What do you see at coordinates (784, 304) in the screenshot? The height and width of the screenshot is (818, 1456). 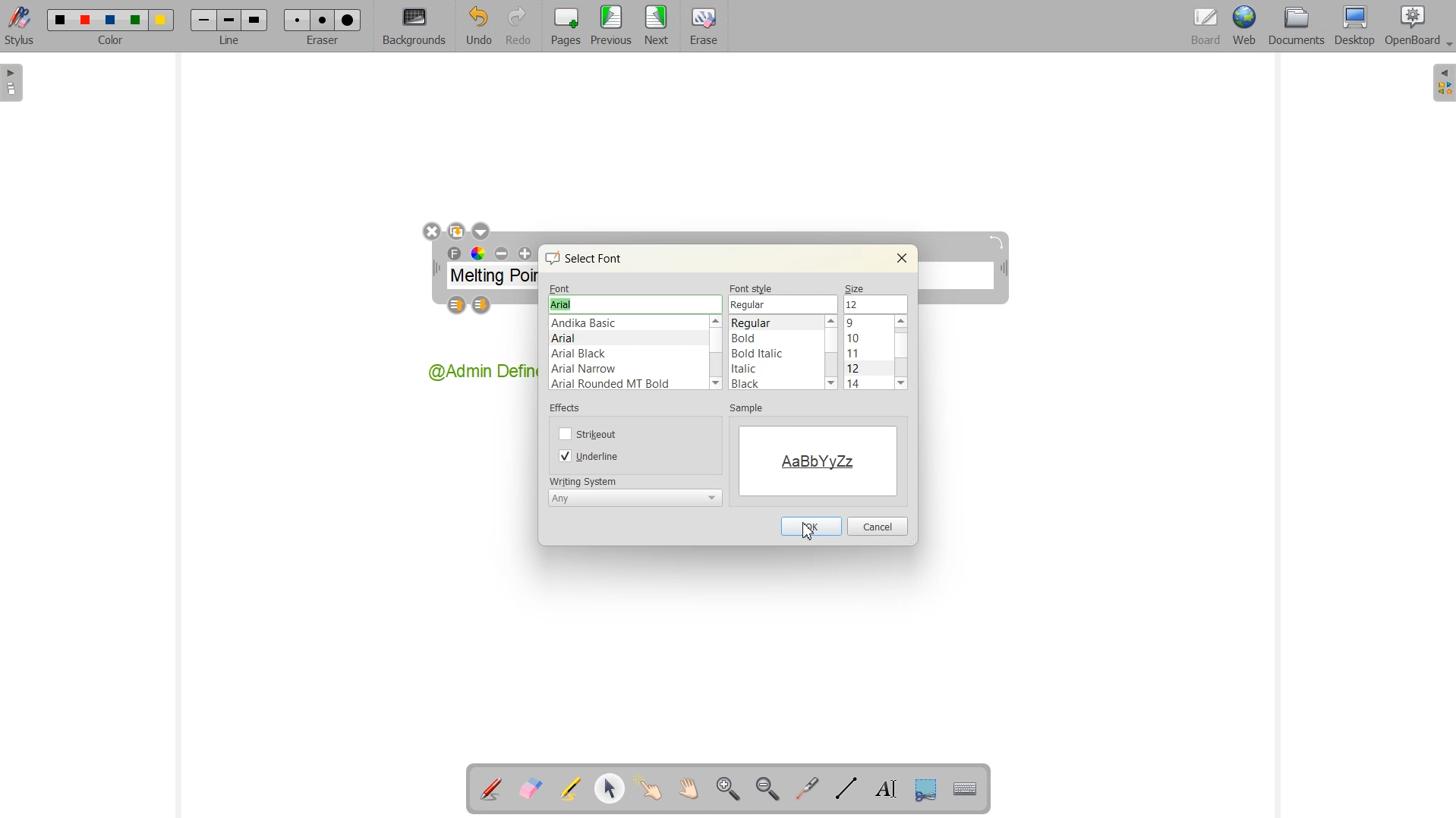 I see `Font style name` at bounding box center [784, 304].